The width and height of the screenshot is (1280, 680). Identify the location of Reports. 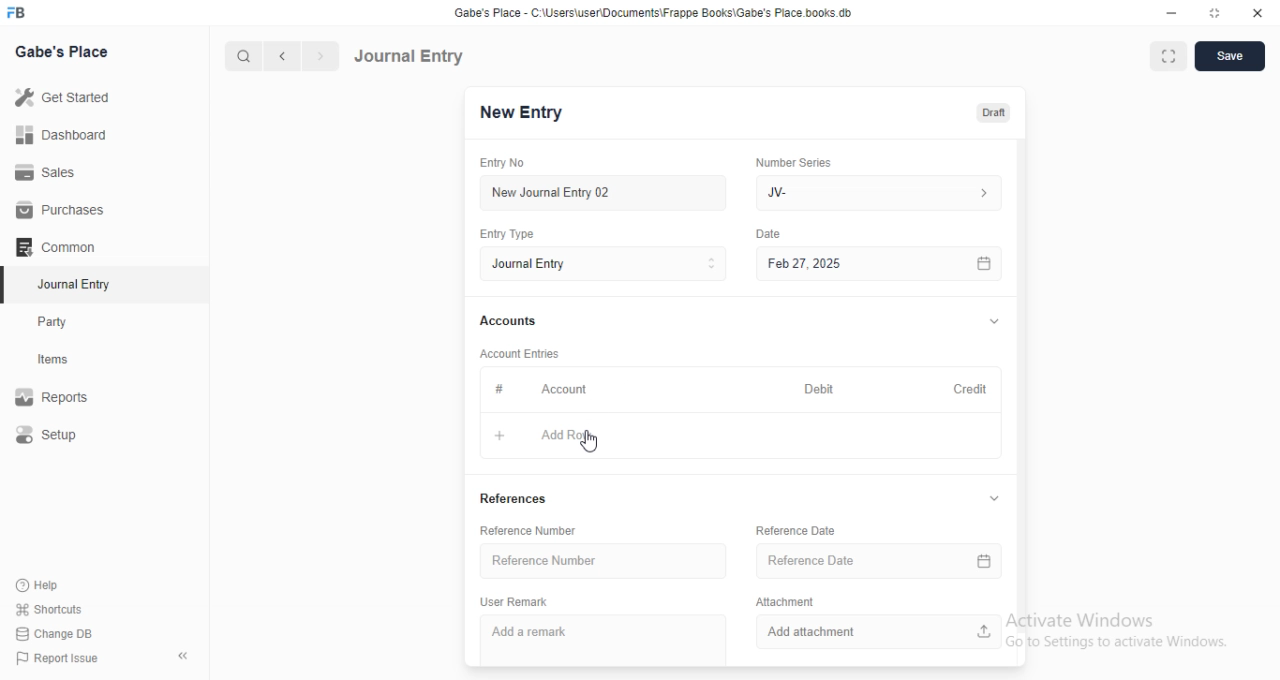
(53, 394).